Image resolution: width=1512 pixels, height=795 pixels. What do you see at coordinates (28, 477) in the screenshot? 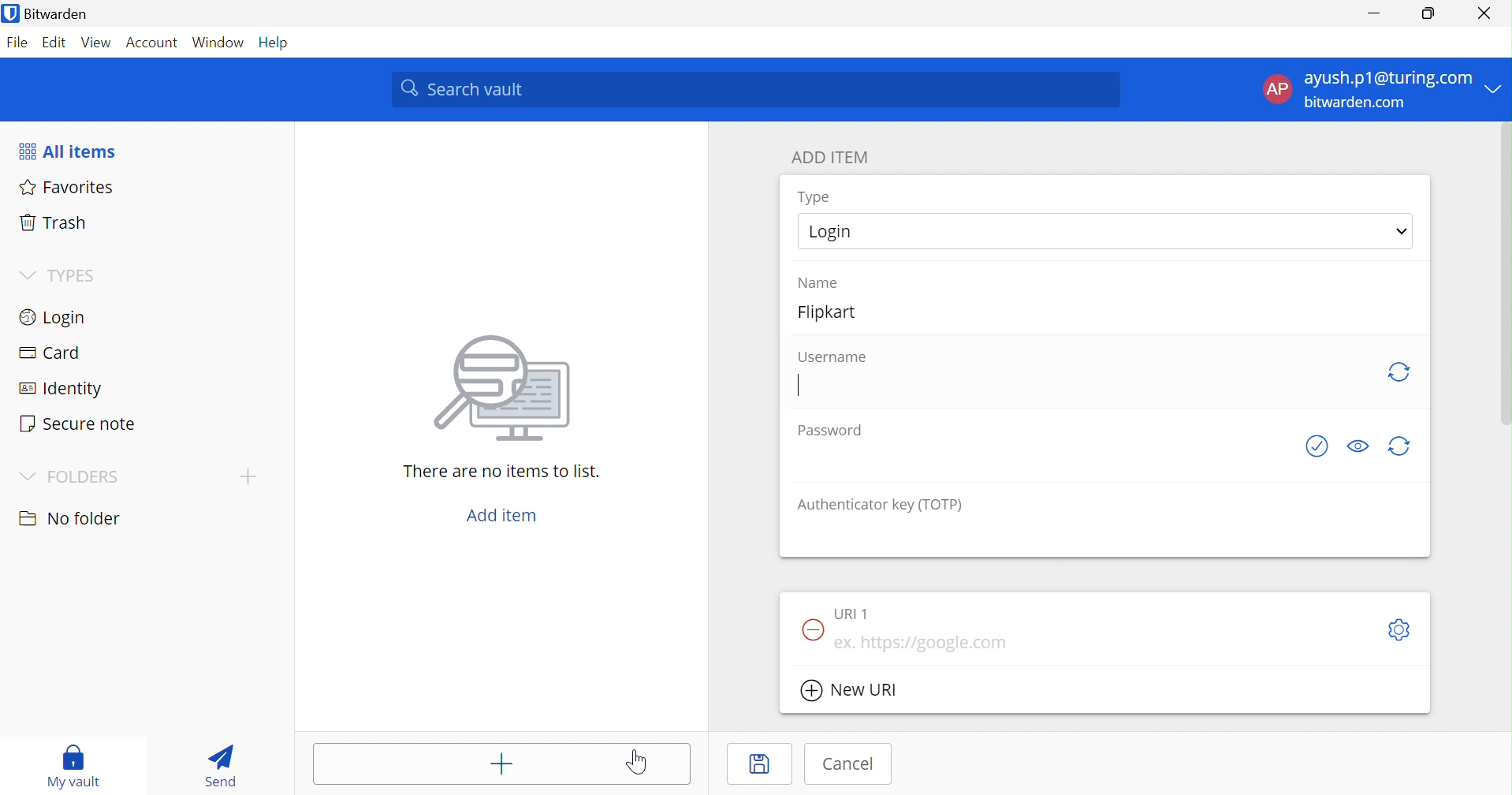
I see `Drop Down` at bounding box center [28, 477].